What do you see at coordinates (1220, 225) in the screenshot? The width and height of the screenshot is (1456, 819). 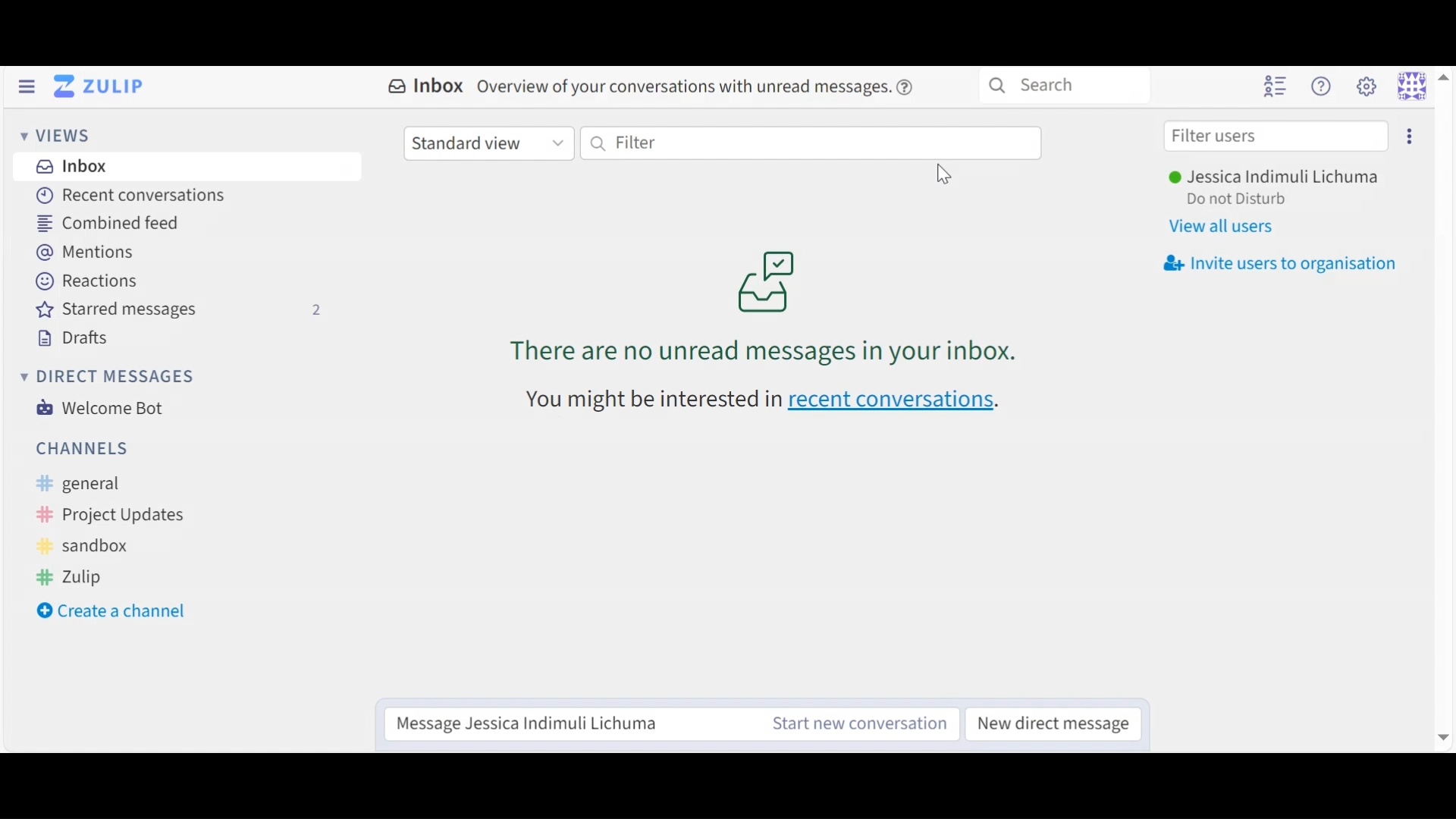 I see `View all users` at bounding box center [1220, 225].